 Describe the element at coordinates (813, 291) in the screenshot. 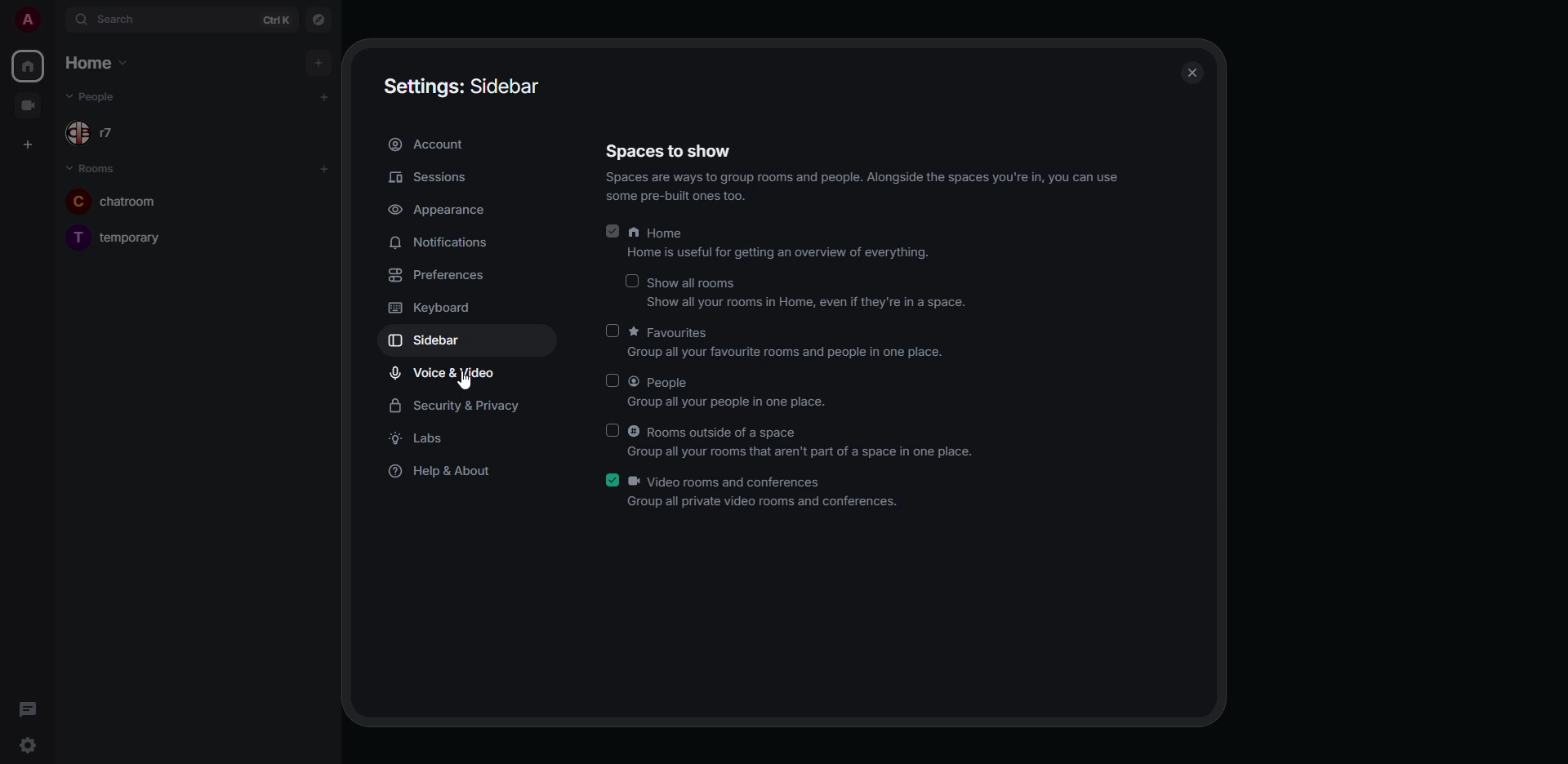

I see `show all rooms` at that location.